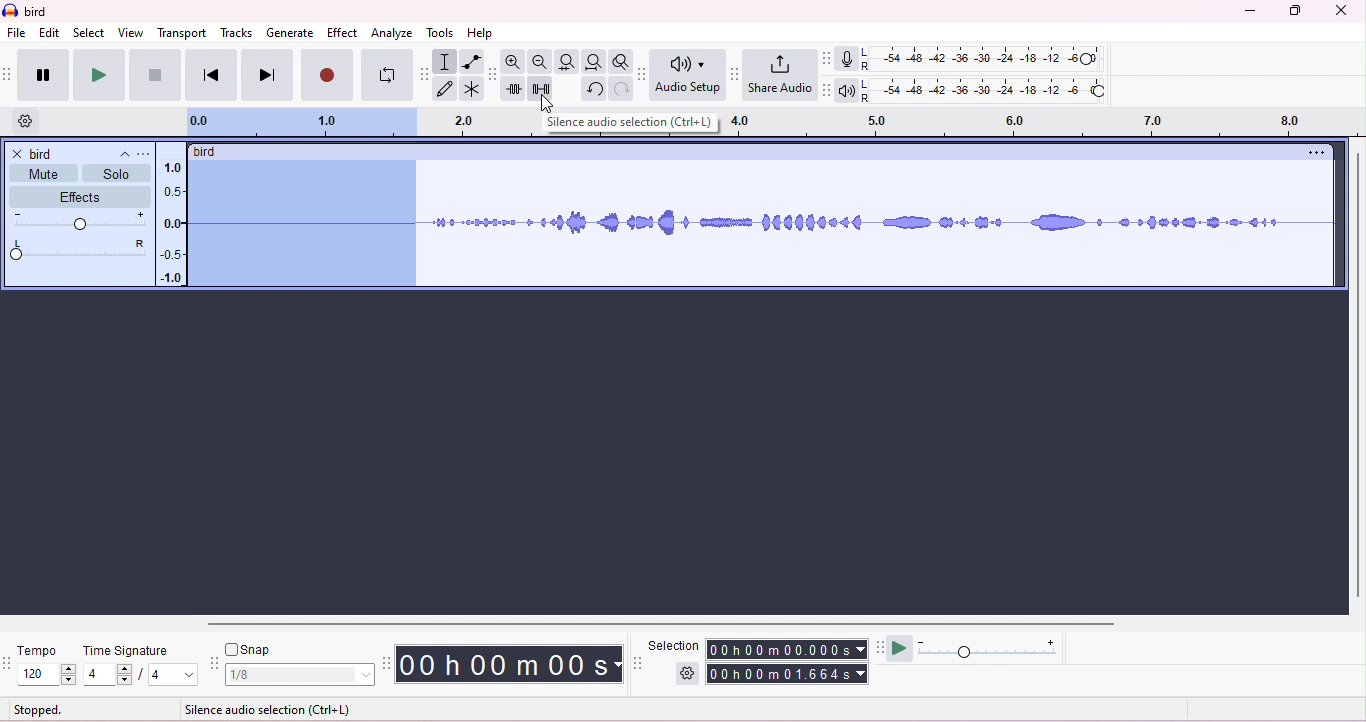 This screenshot has width=1366, height=722. Describe the element at coordinates (303, 224) in the screenshot. I see `silenced audio selection` at that location.